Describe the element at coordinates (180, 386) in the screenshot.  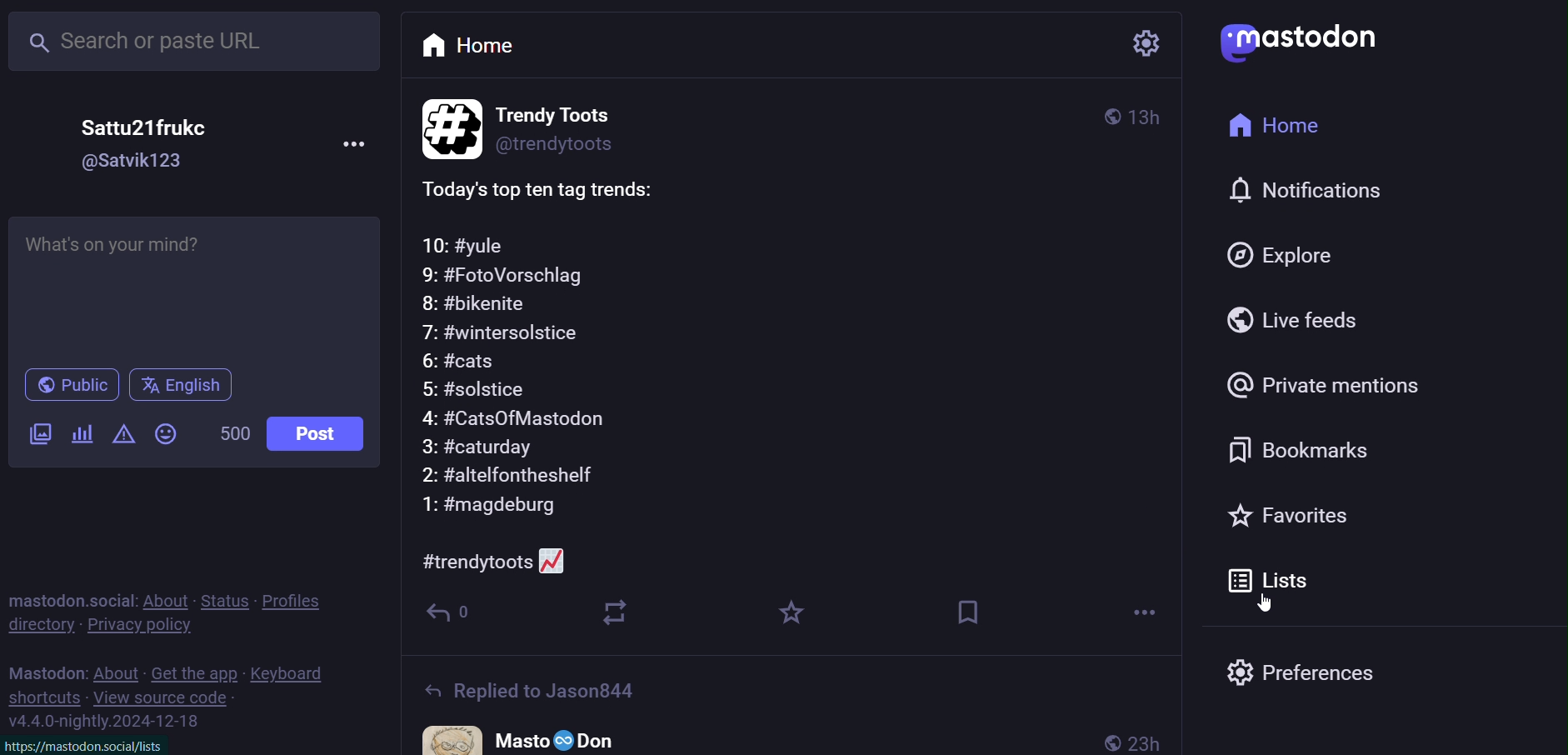
I see `english` at that location.